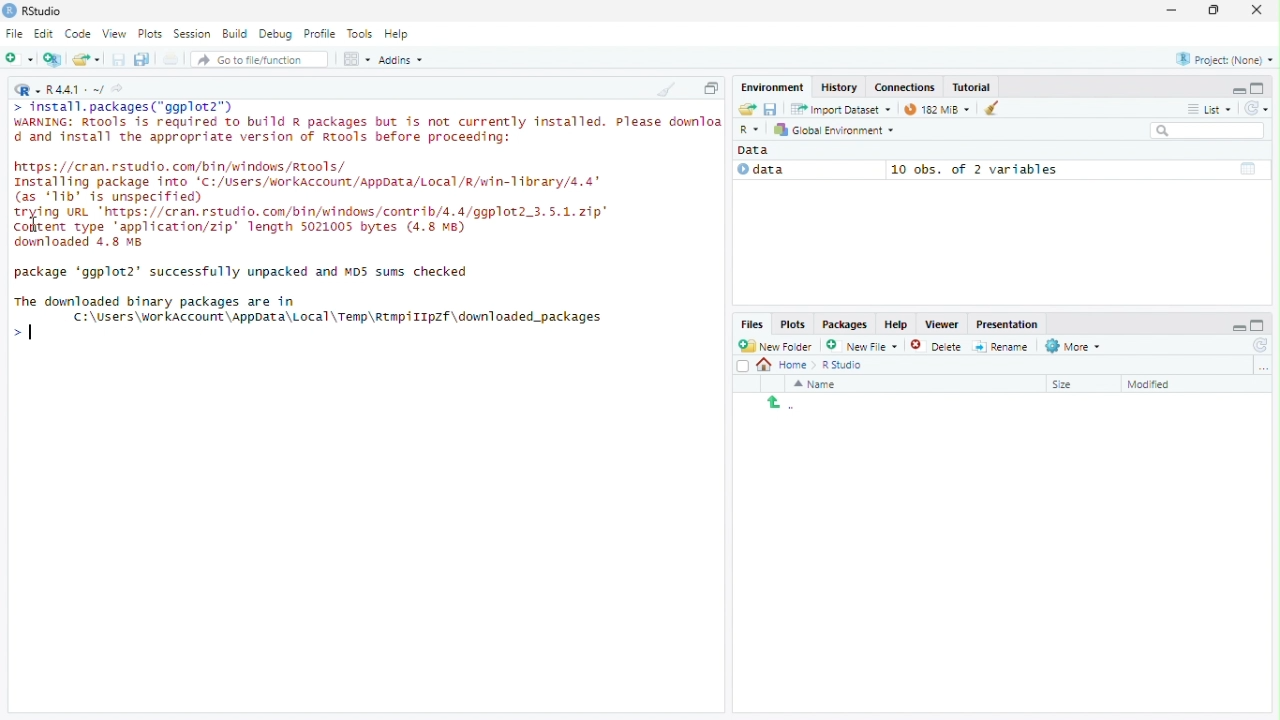 This screenshot has width=1280, height=720. Describe the element at coordinates (1164, 384) in the screenshot. I see `Sort by last modified` at that location.